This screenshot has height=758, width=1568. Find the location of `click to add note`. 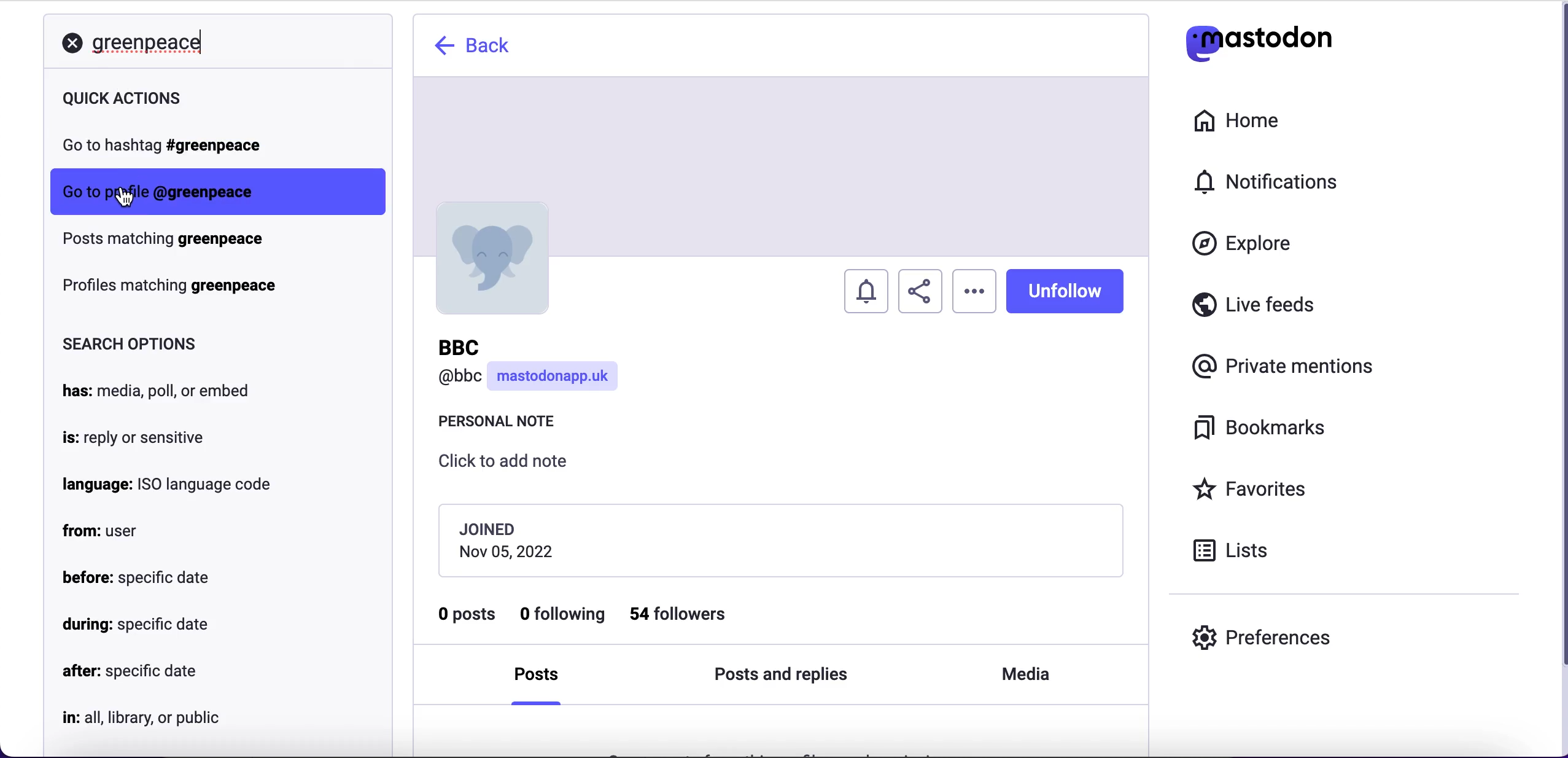

click to add note is located at coordinates (513, 466).